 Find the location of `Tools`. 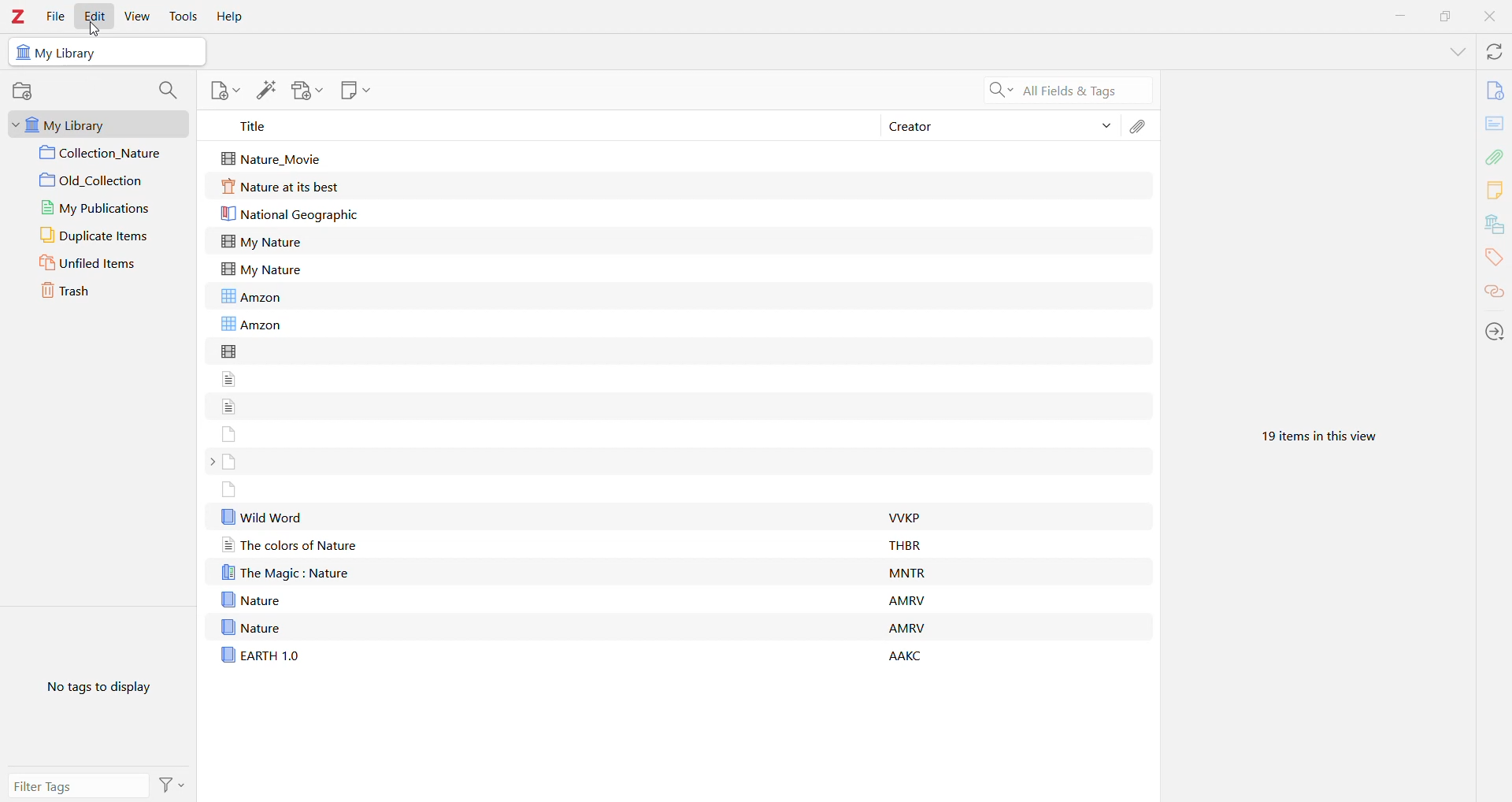

Tools is located at coordinates (183, 16).